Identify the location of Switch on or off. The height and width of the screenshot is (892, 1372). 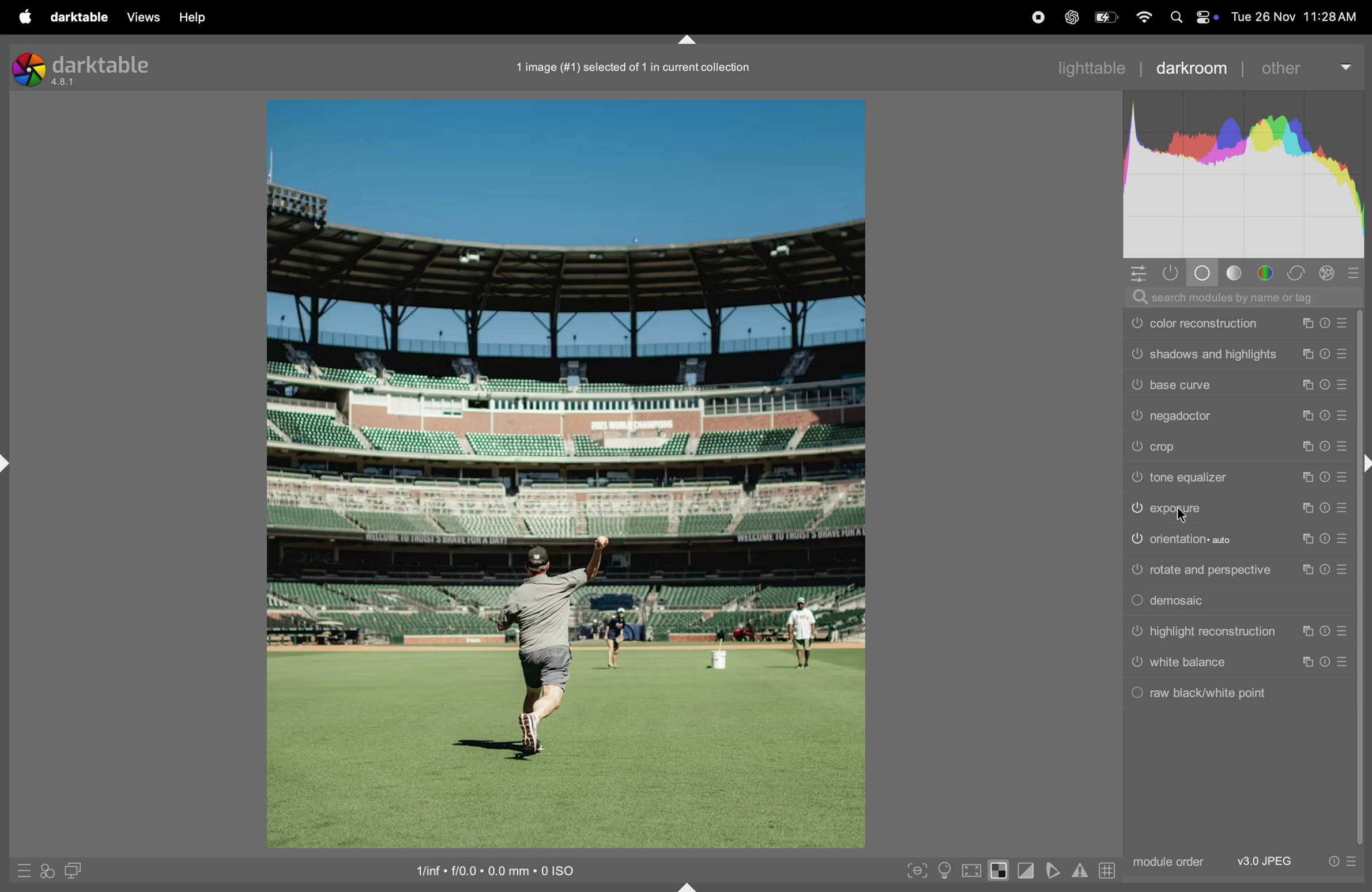
(1136, 446).